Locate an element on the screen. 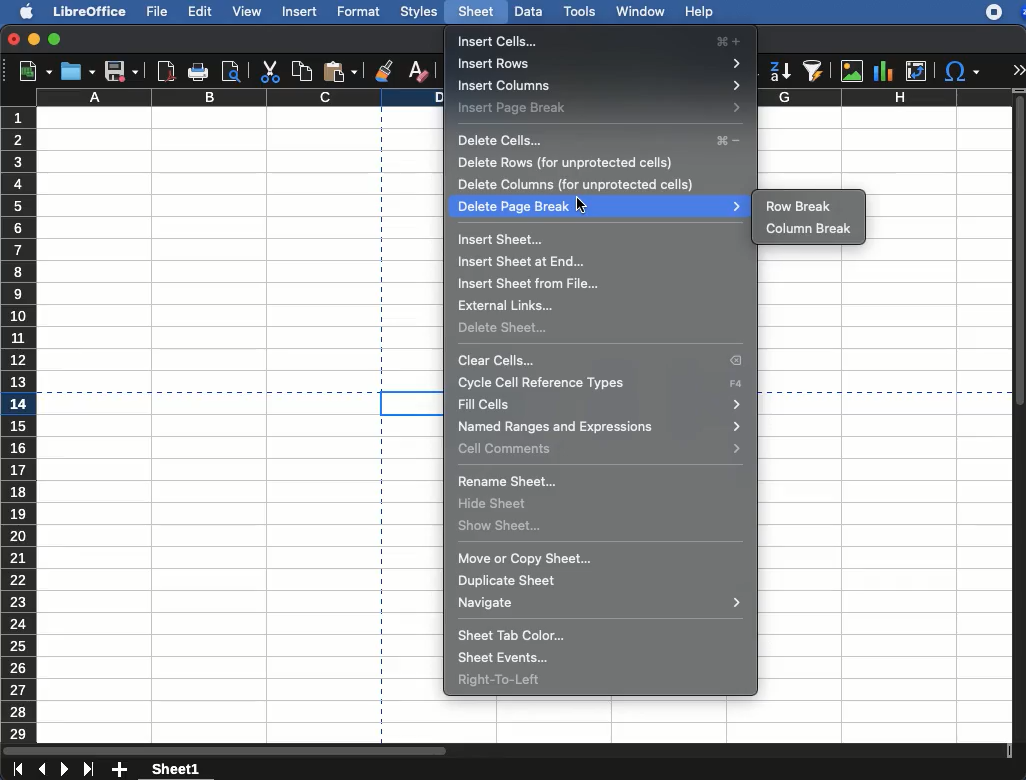 This screenshot has width=1026, height=780. page break is located at coordinates (381, 585).